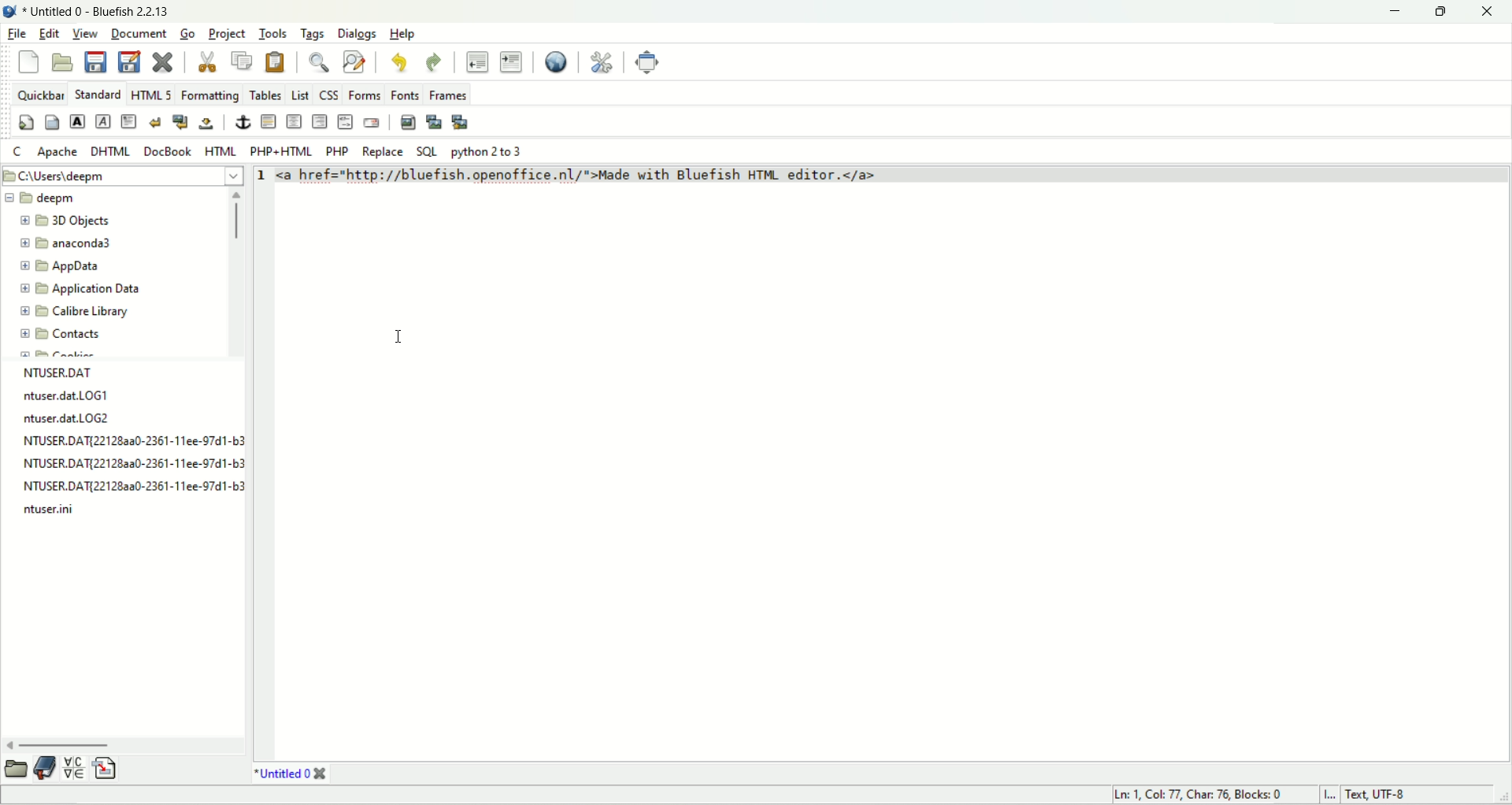 Image resolution: width=1512 pixels, height=805 pixels. What do you see at coordinates (345, 123) in the screenshot?
I see `HTML comment` at bounding box center [345, 123].